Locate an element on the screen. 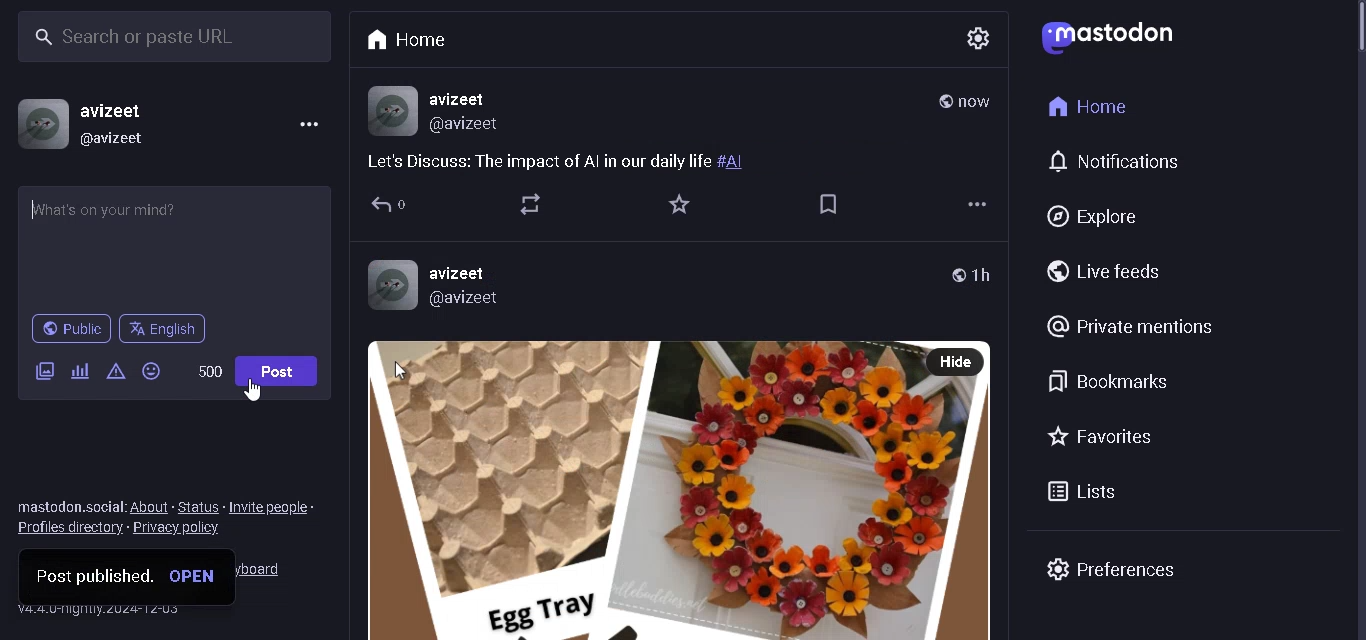 This screenshot has height=640, width=1366. PREFRENCES is located at coordinates (1114, 570).